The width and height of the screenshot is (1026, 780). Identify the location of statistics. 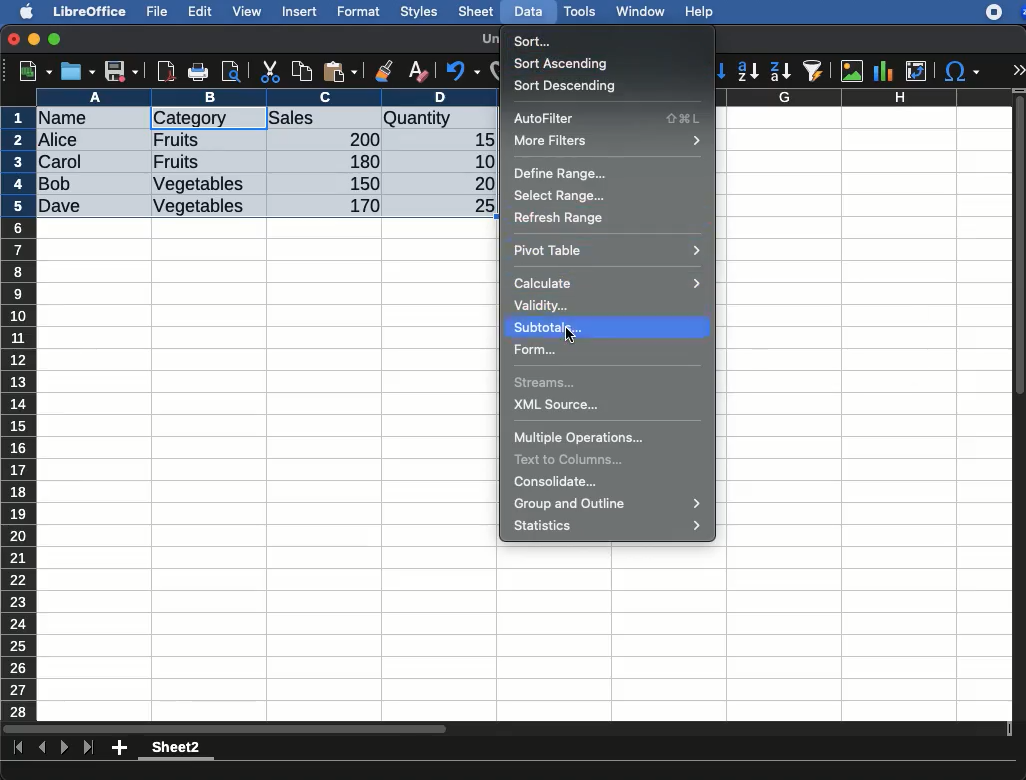
(611, 527).